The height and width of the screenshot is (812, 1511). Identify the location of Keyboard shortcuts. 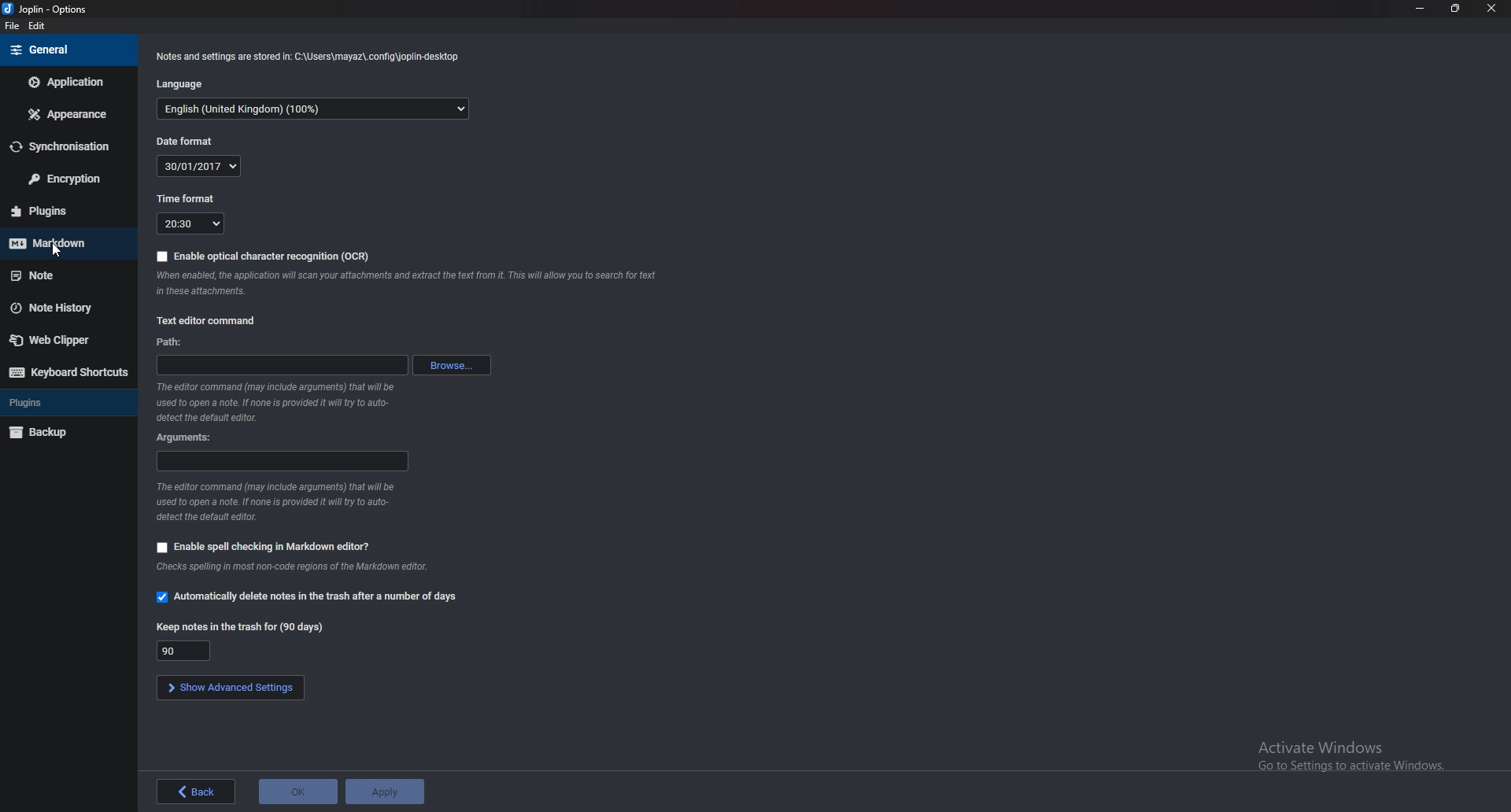
(67, 372).